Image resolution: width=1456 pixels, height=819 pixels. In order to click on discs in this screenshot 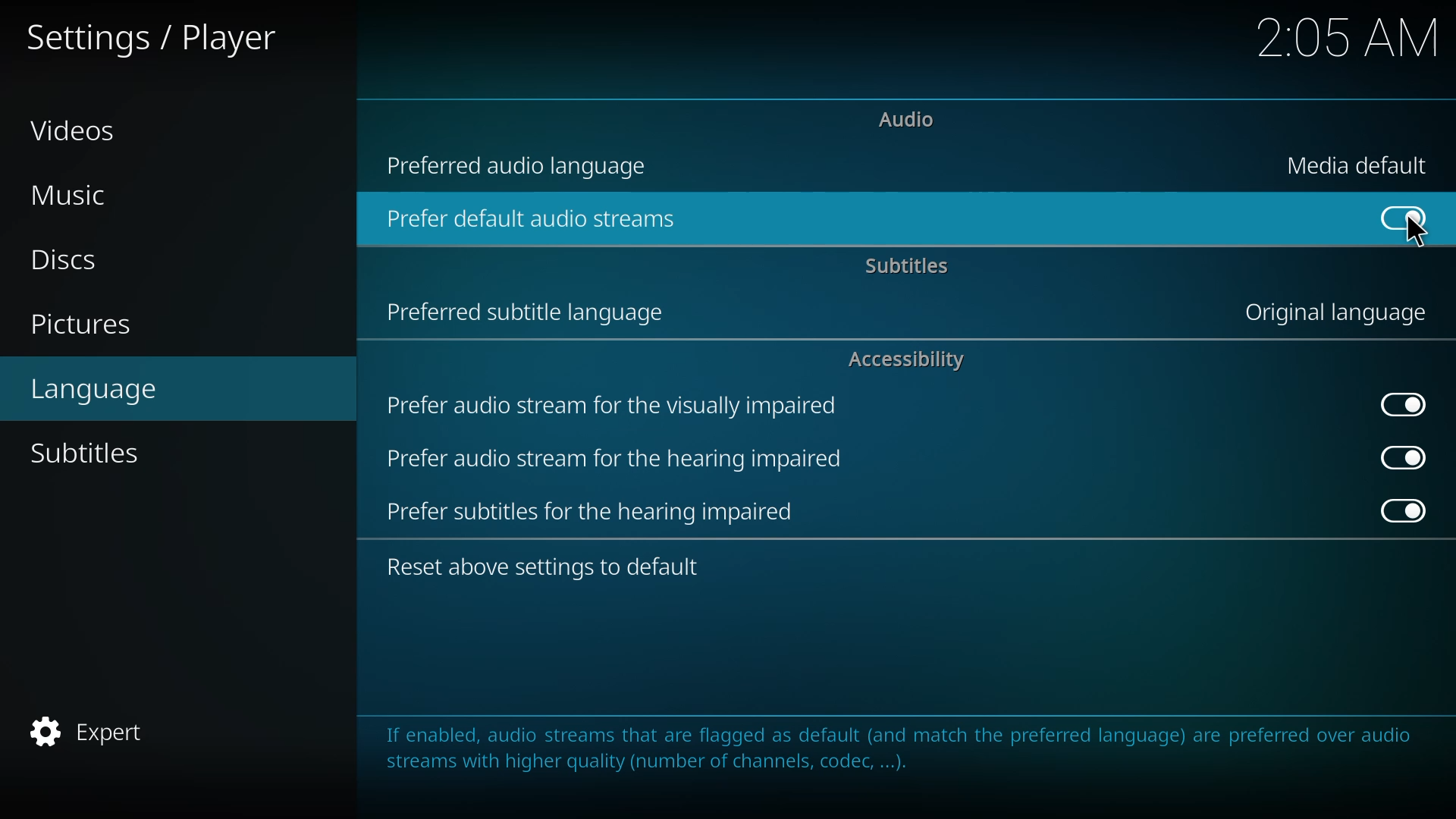, I will do `click(64, 260)`.